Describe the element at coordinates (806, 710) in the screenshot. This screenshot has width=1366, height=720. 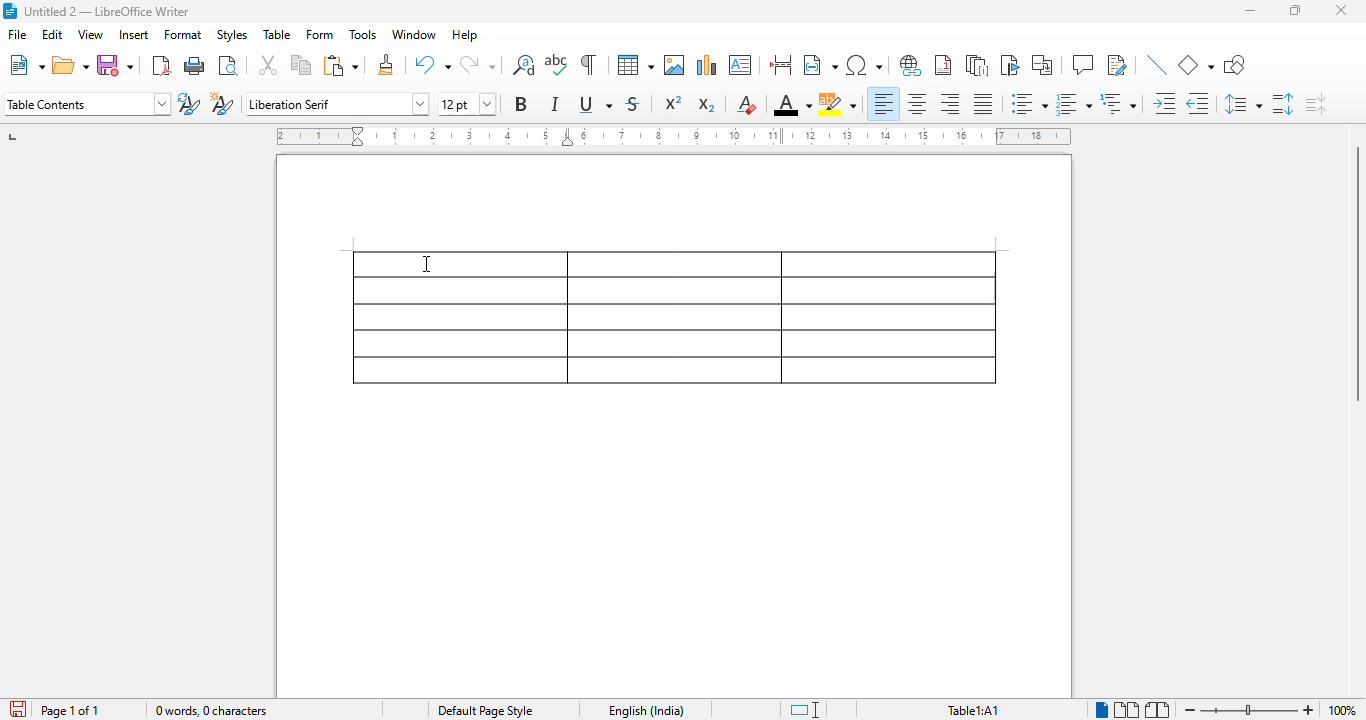
I see `standard selection` at that location.